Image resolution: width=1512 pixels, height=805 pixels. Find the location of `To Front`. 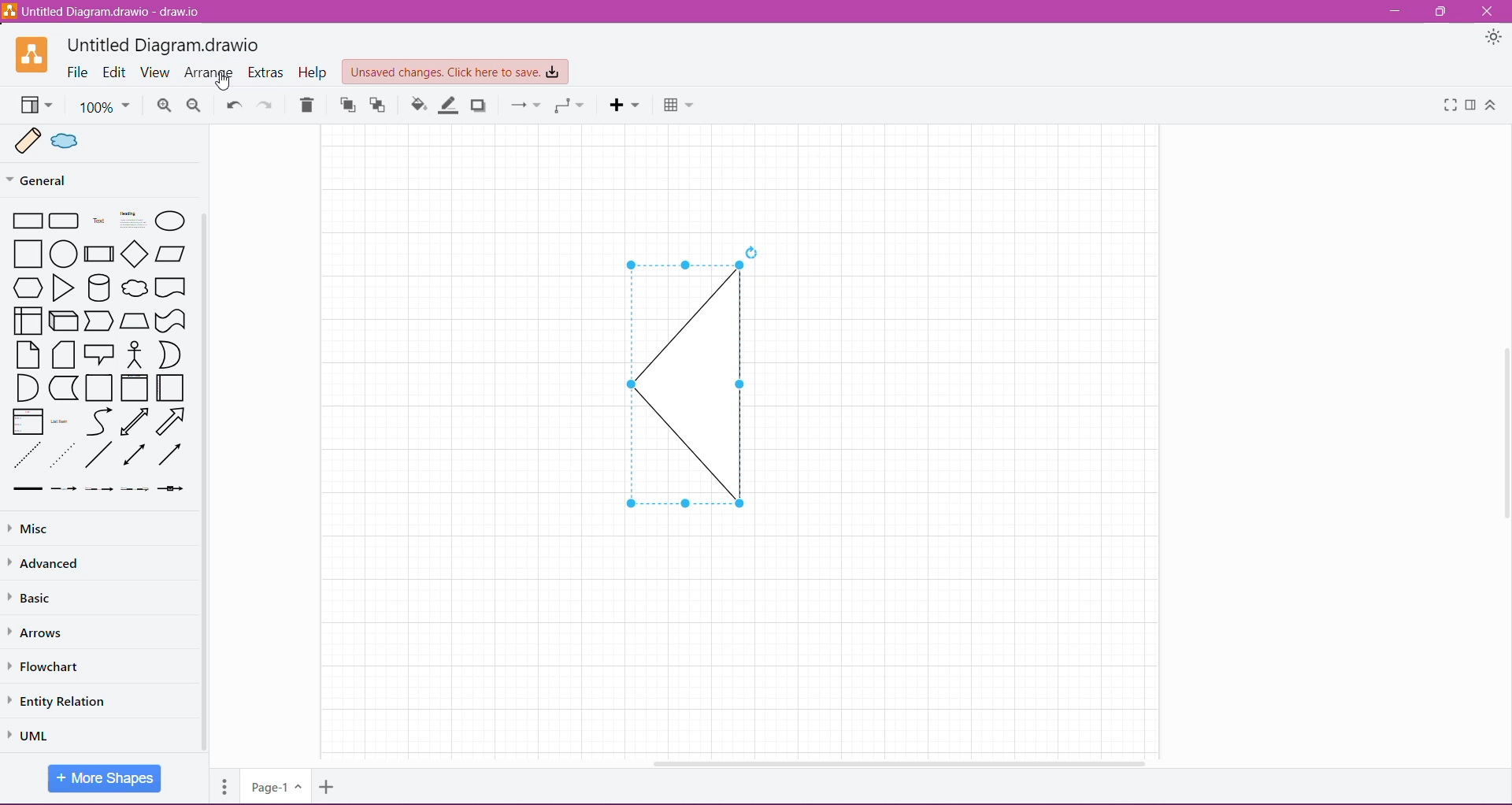

To Front is located at coordinates (346, 106).